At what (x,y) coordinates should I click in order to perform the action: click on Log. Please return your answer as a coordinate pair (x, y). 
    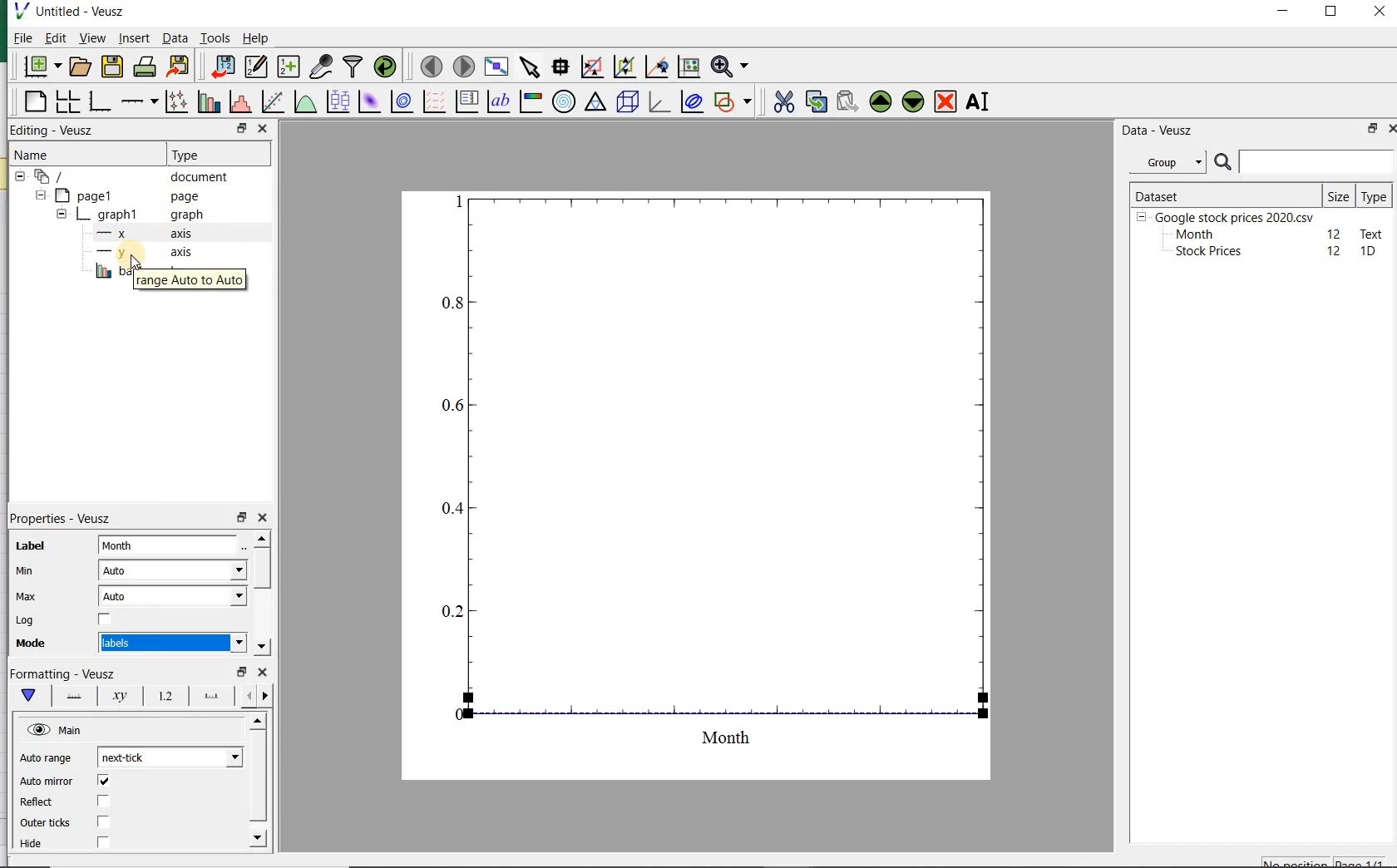
    Looking at the image, I should click on (24, 620).